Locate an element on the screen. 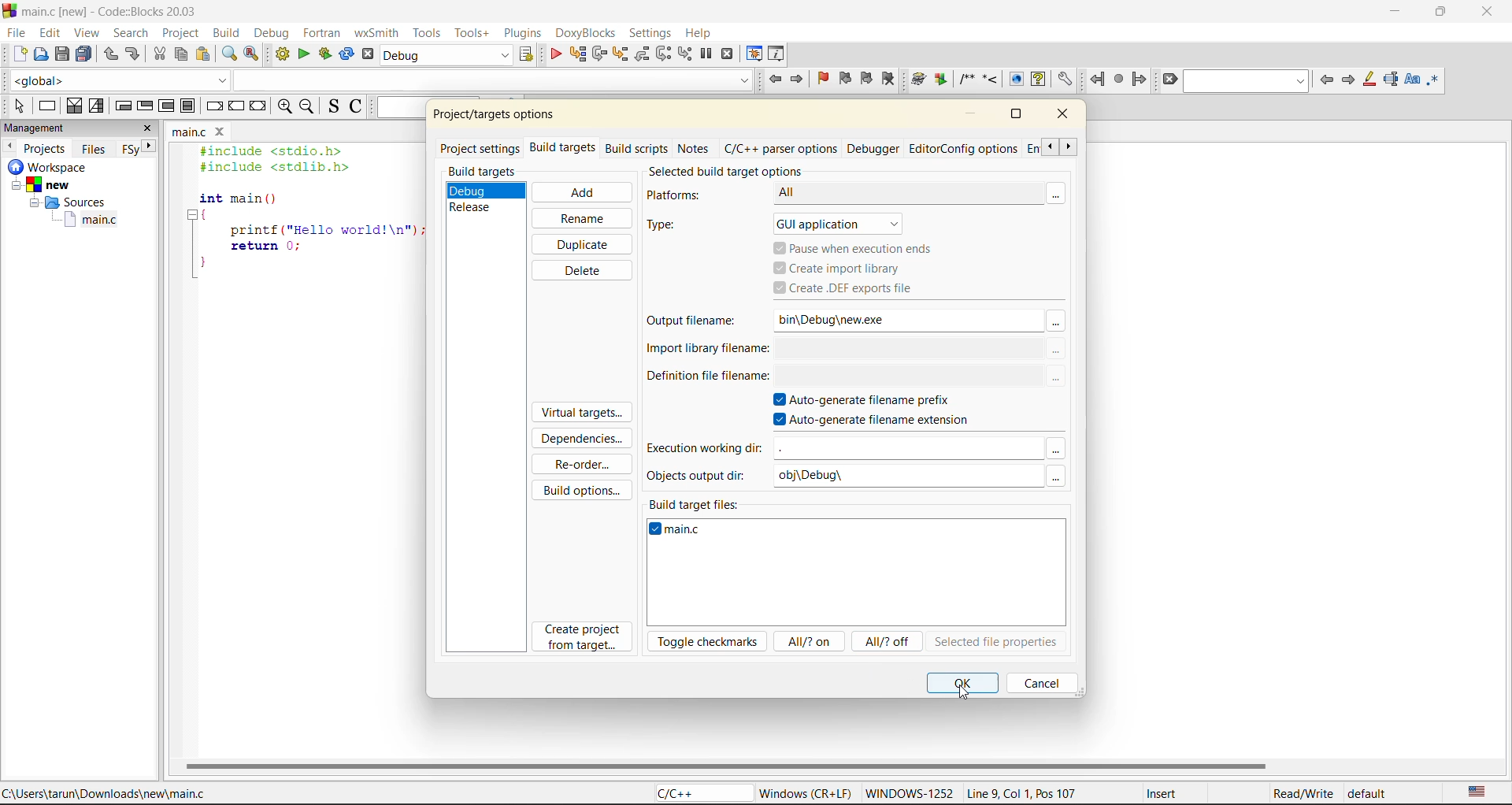 The width and height of the screenshot is (1512, 805). minimize is located at coordinates (1393, 13).